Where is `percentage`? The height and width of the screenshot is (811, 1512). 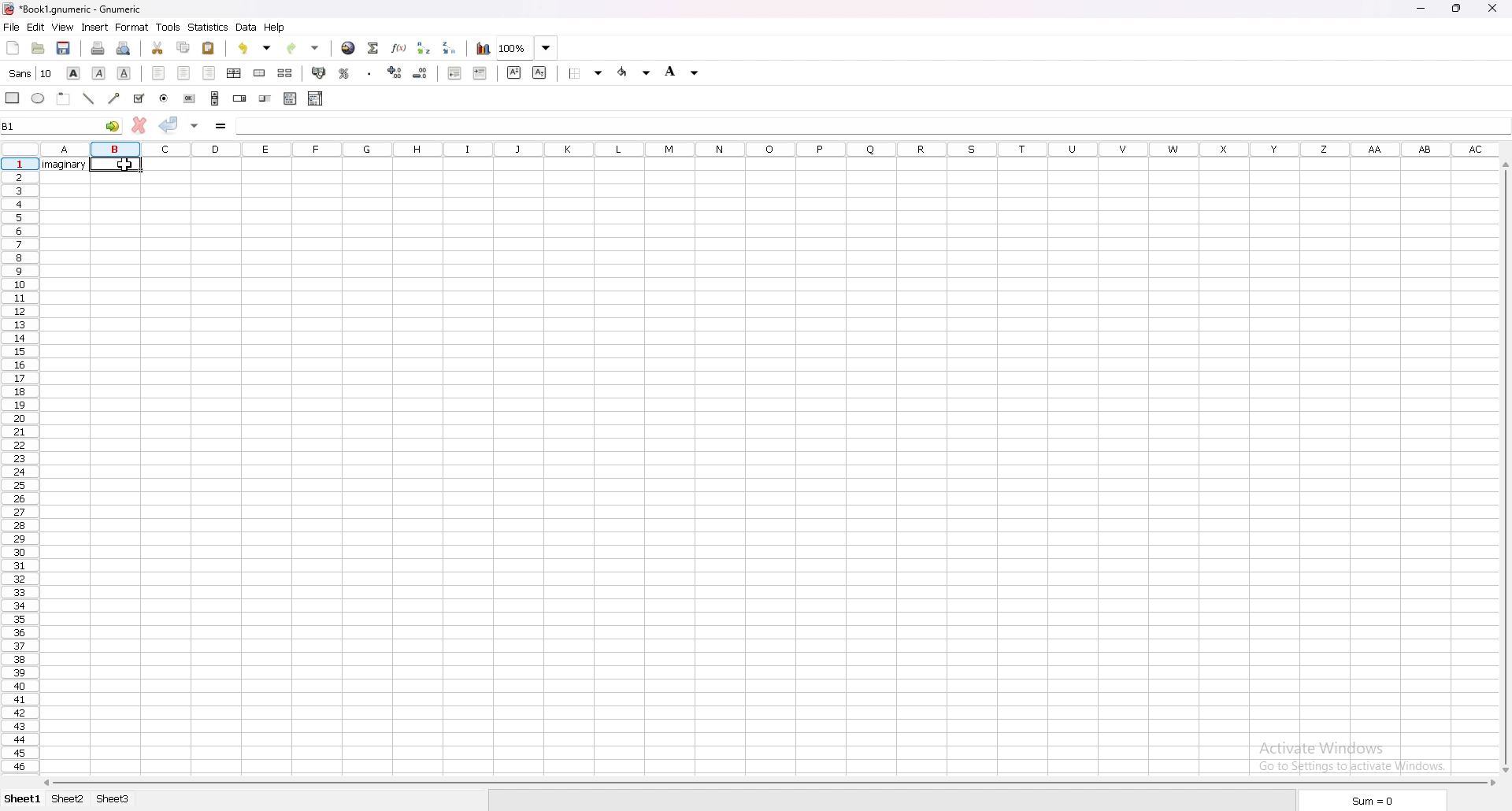 percentage is located at coordinates (344, 73).